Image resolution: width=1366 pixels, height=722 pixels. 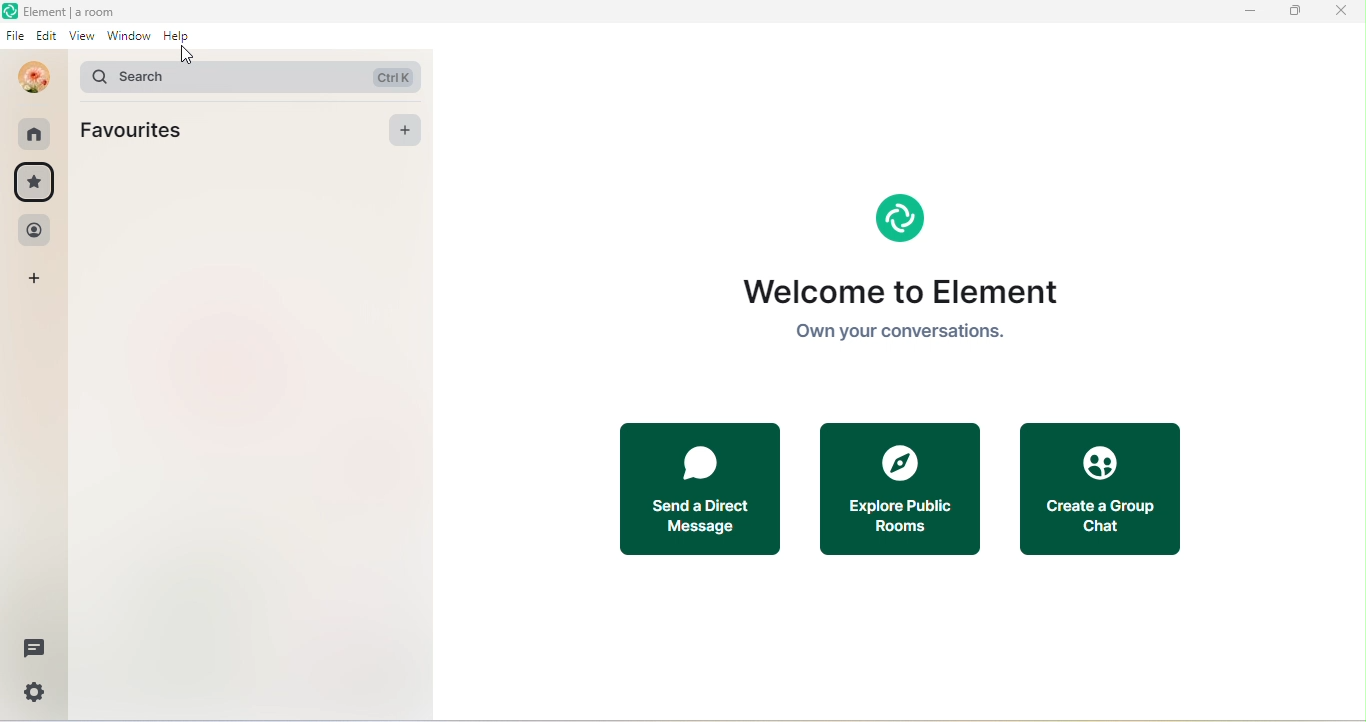 I want to click on window, so click(x=131, y=38).